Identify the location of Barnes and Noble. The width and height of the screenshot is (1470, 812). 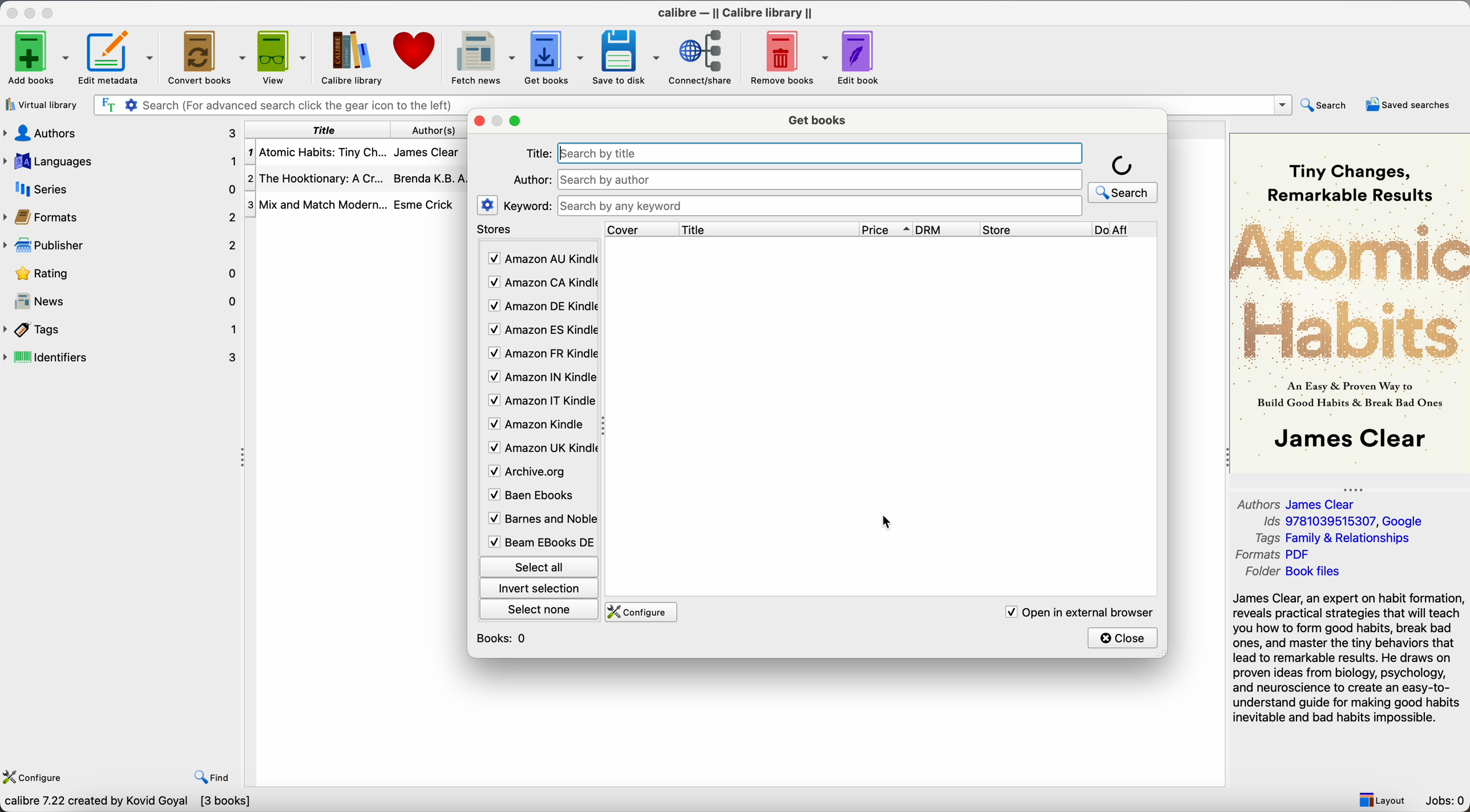
(538, 521).